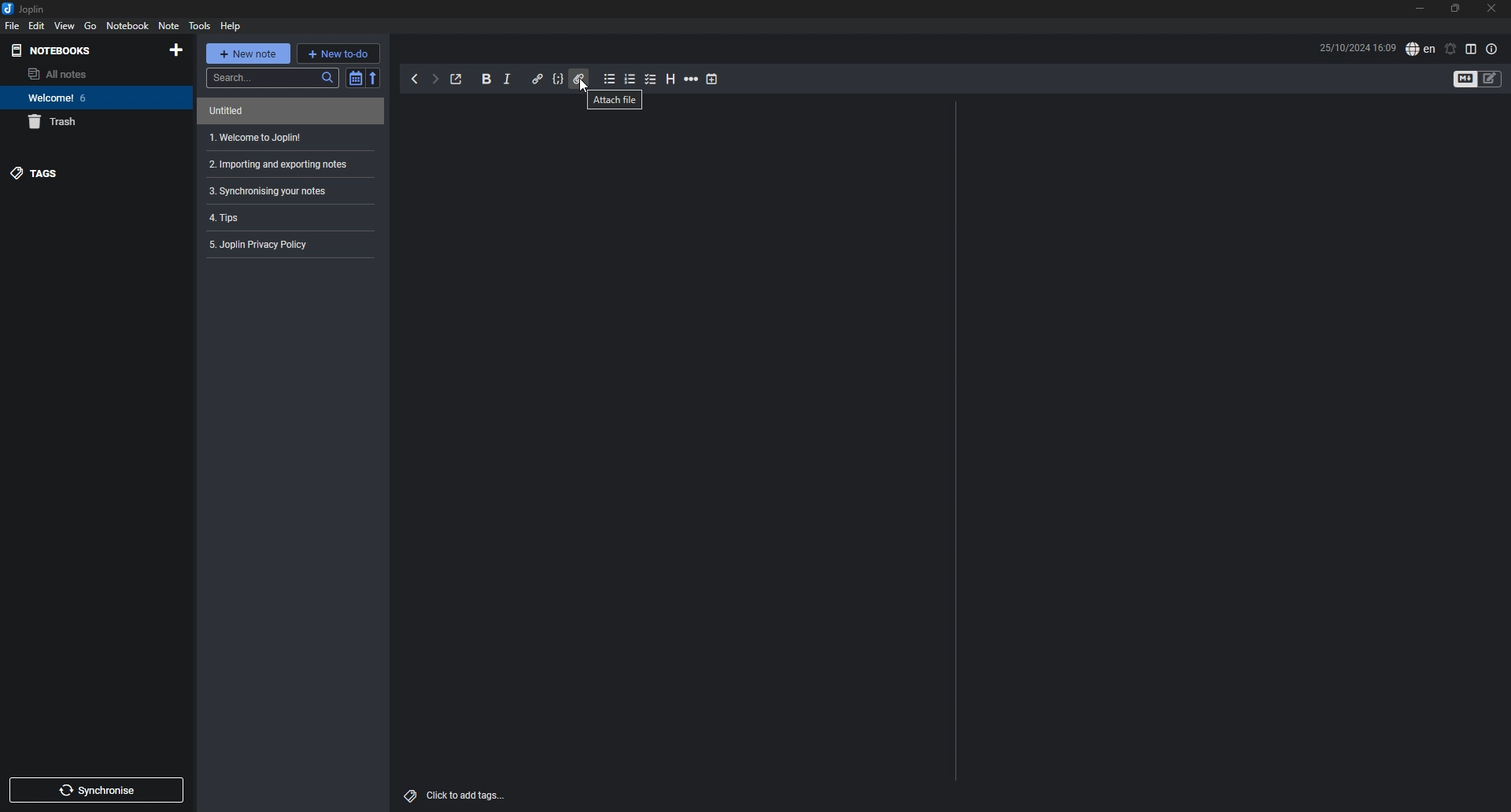 Image resolution: width=1511 pixels, height=812 pixels. I want to click on toggle sort order, so click(353, 78).